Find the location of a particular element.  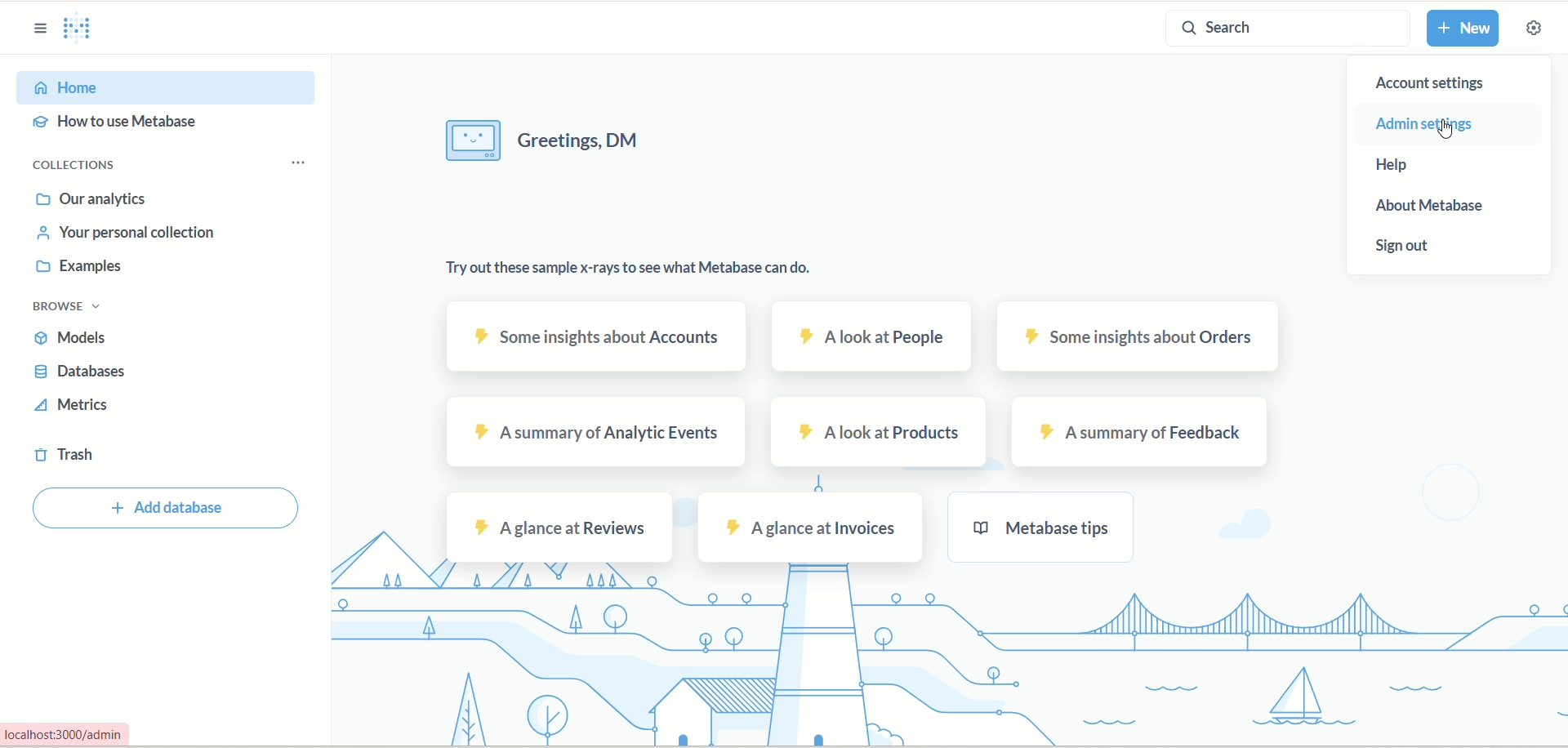

A look at People is located at coordinates (871, 337).